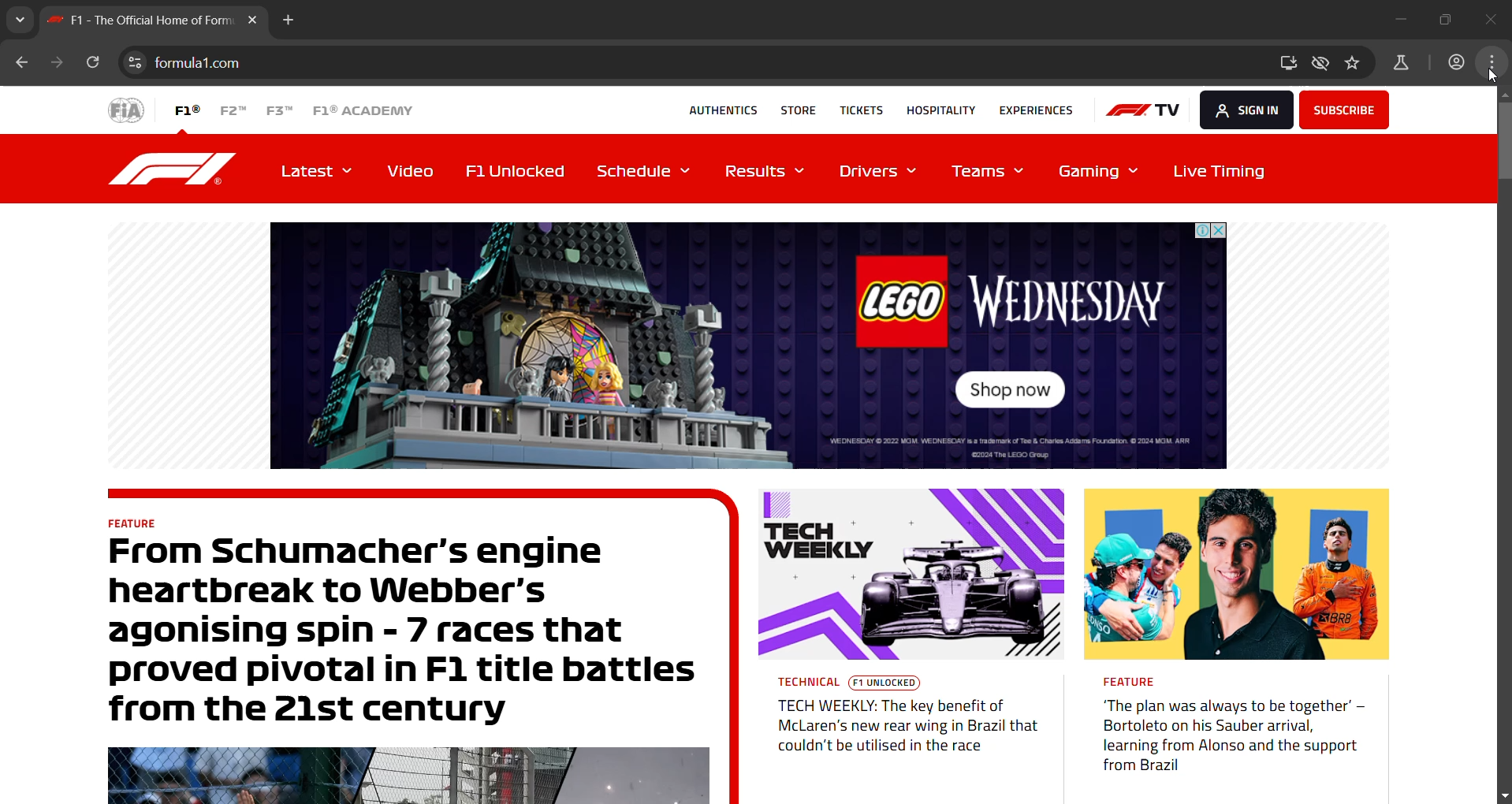 The image size is (1512, 804). Describe the element at coordinates (857, 109) in the screenshot. I see `TICKETS` at that location.